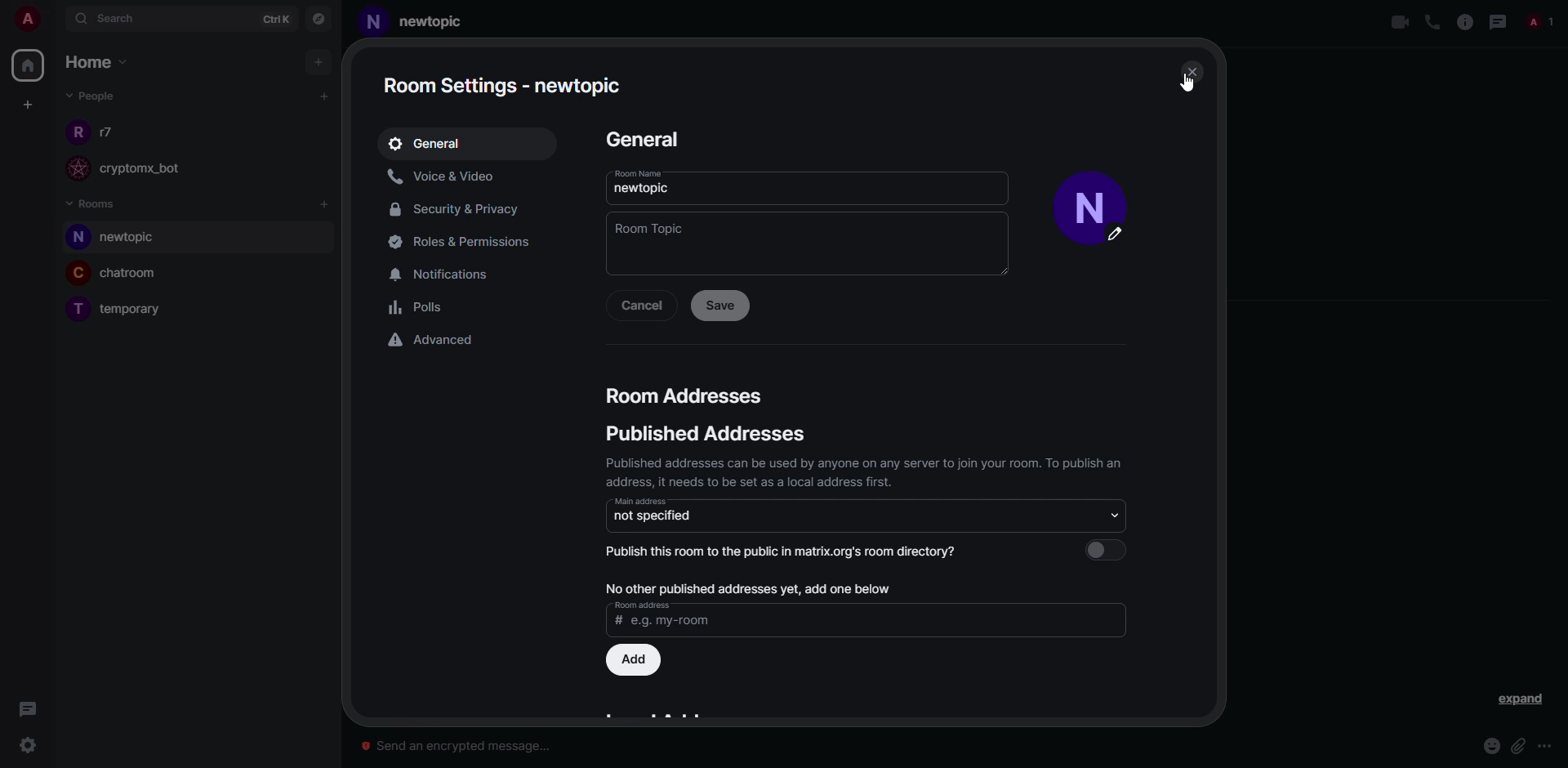  Describe the element at coordinates (268, 19) in the screenshot. I see `ctrlK` at that location.